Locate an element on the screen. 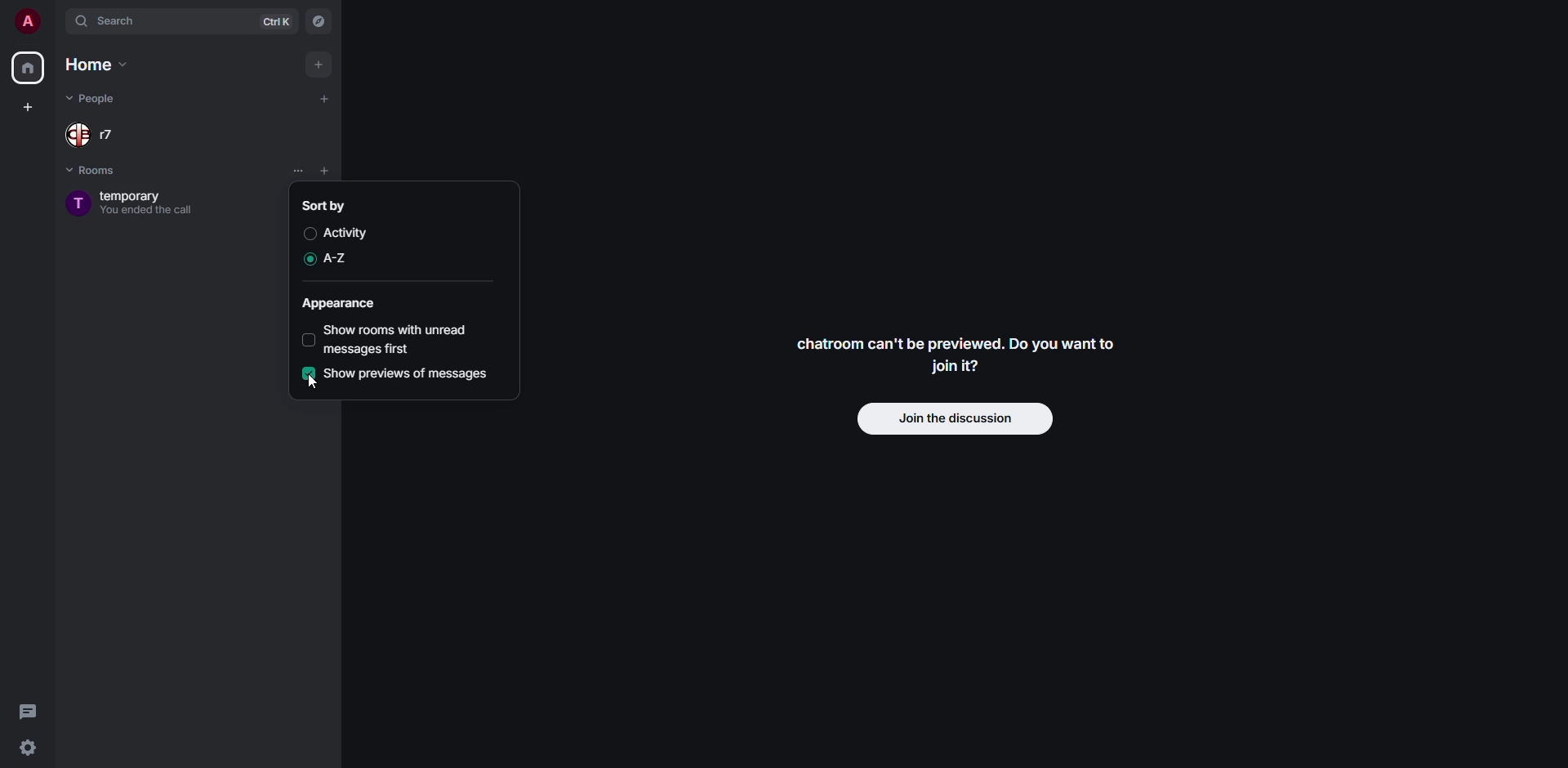 This screenshot has width=1568, height=768. activity is located at coordinates (346, 233).